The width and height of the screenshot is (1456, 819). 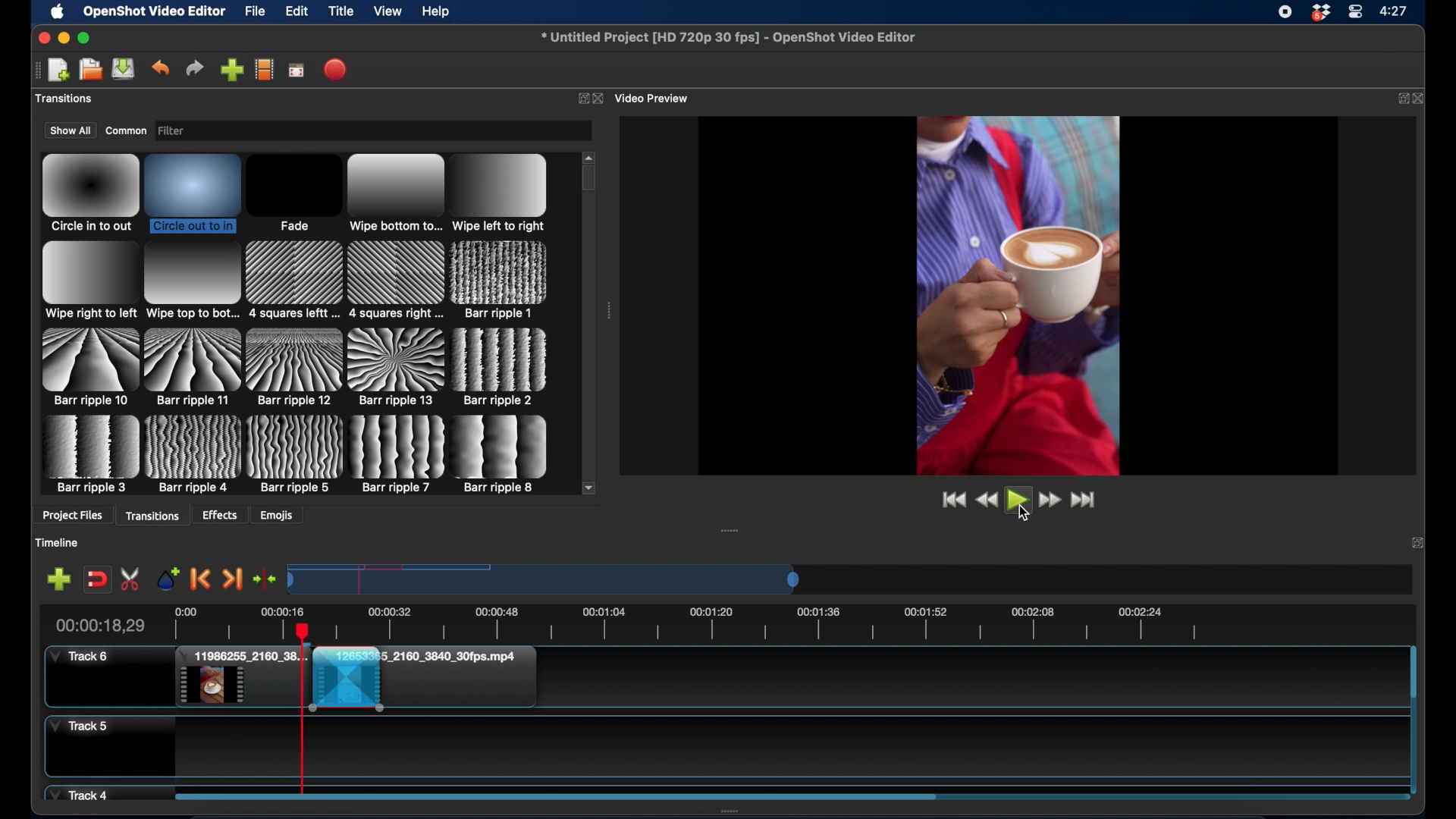 What do you see at coordinates (1086, 500) in the screenshot?
I see `jump to end` at bounding box center [1086, 500].